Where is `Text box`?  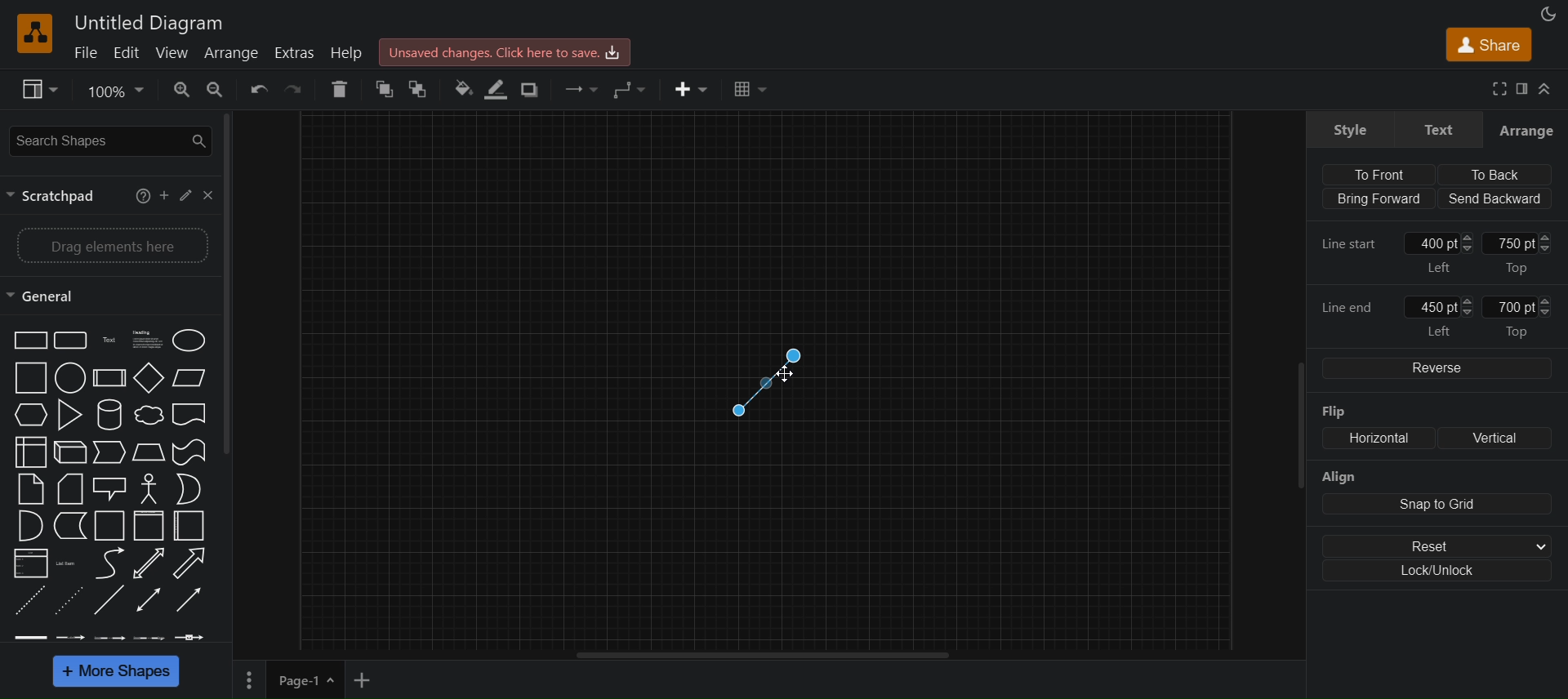 Text box is located at coordinates (144, 339).